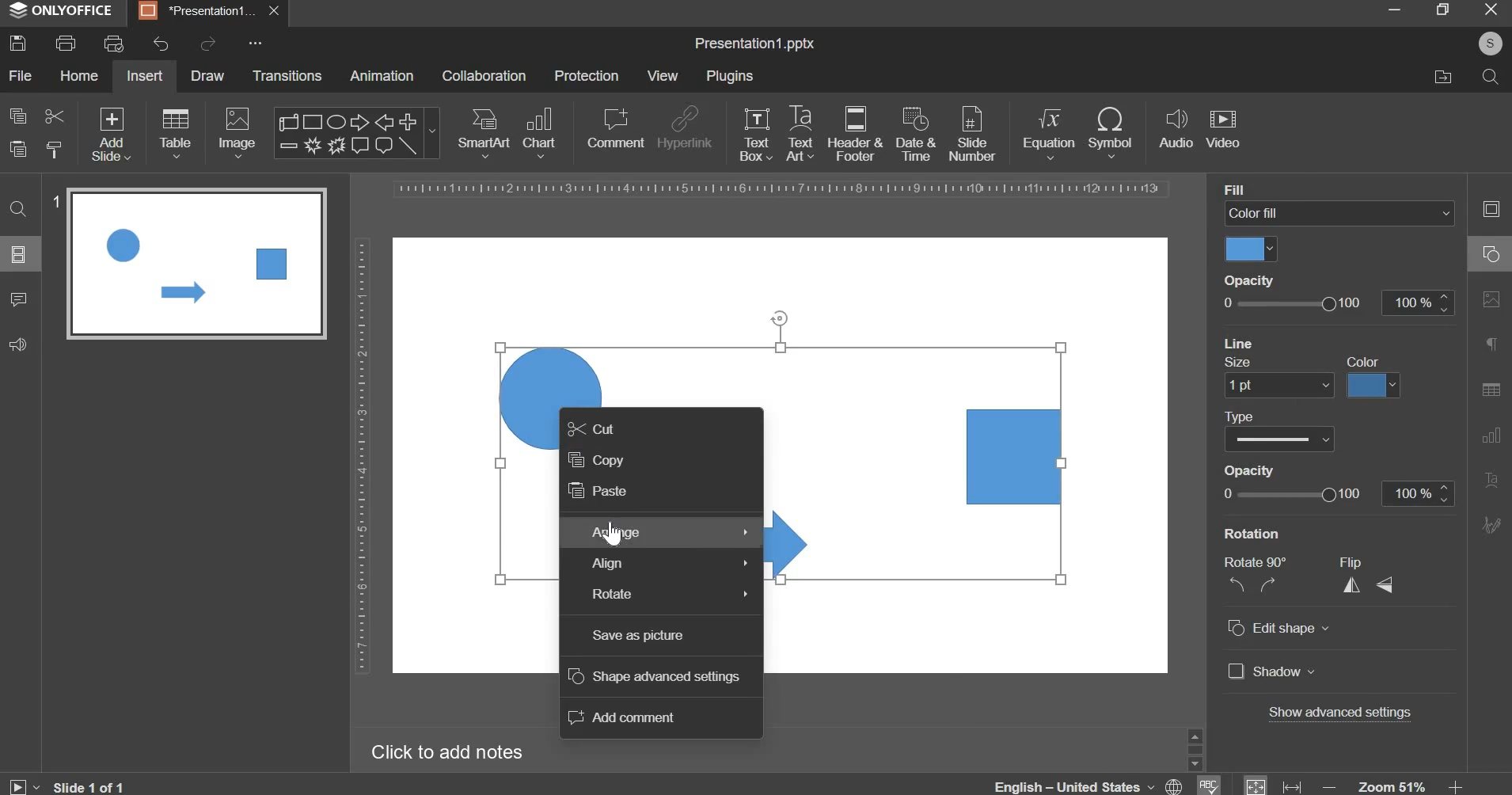  Describe the element at coordinates (854, 133) in the screenshot. I see `header & footer` at that location.